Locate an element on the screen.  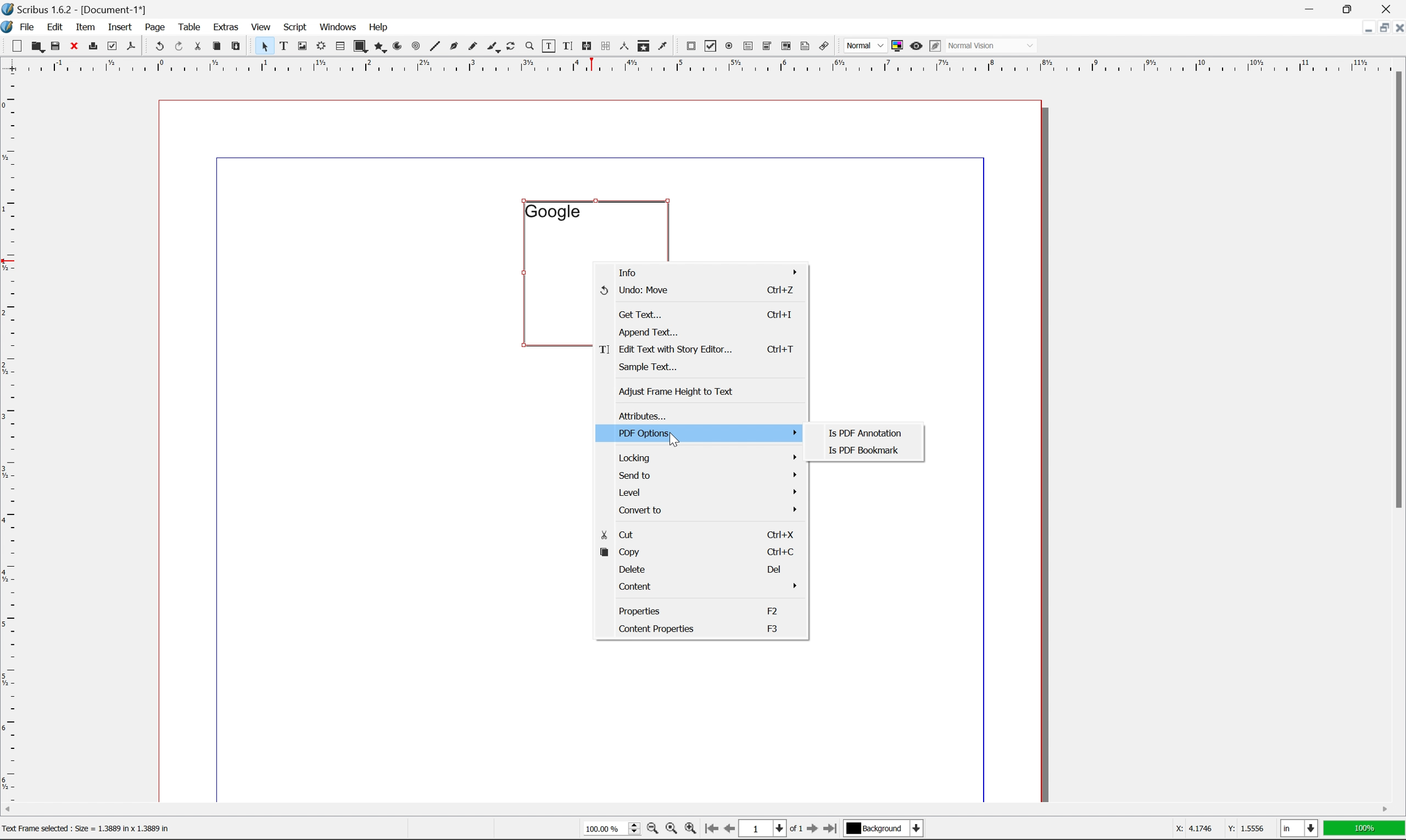
ruler is located at coordinates (10, 436).